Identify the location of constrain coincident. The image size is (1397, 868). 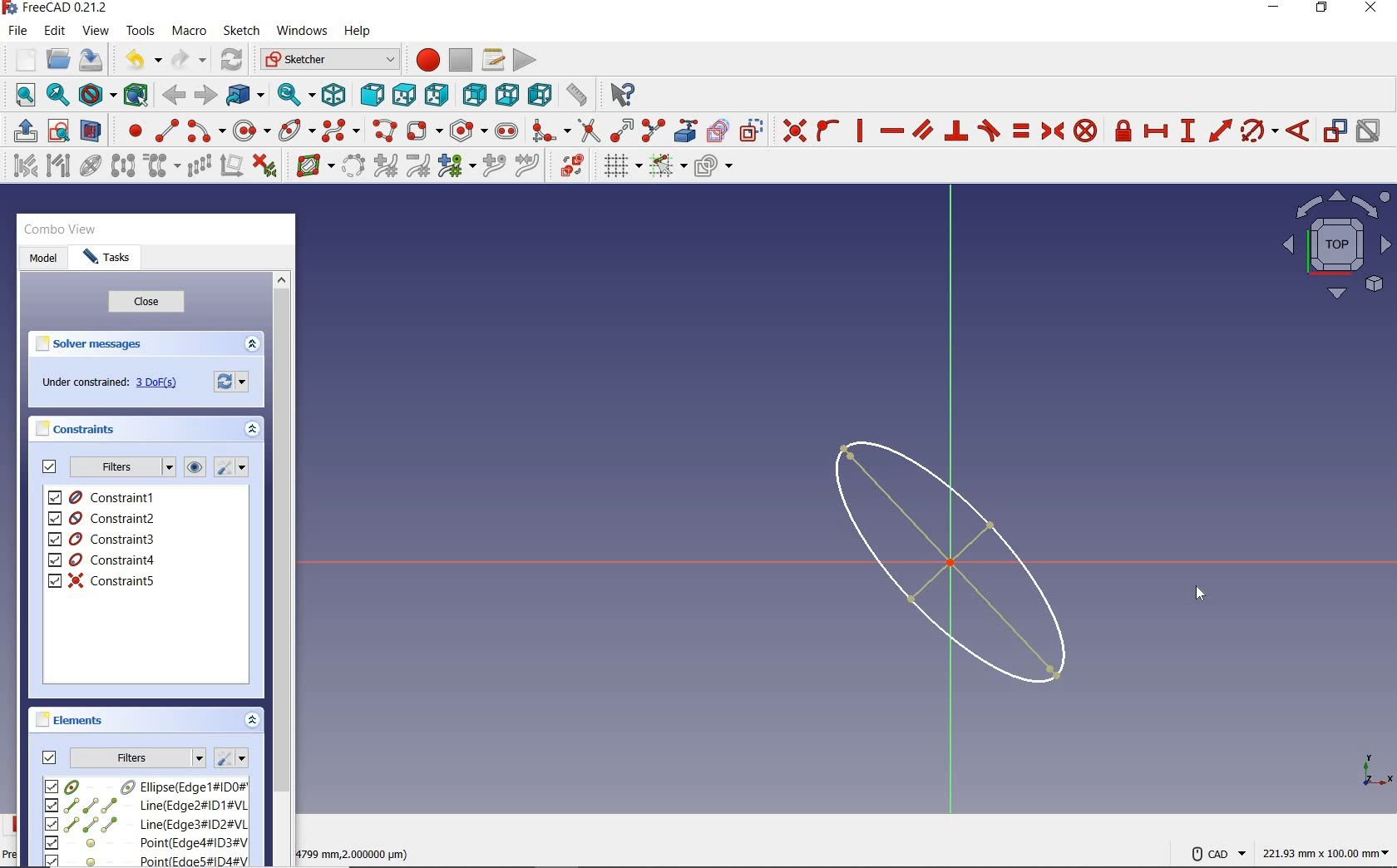
(790, 131).